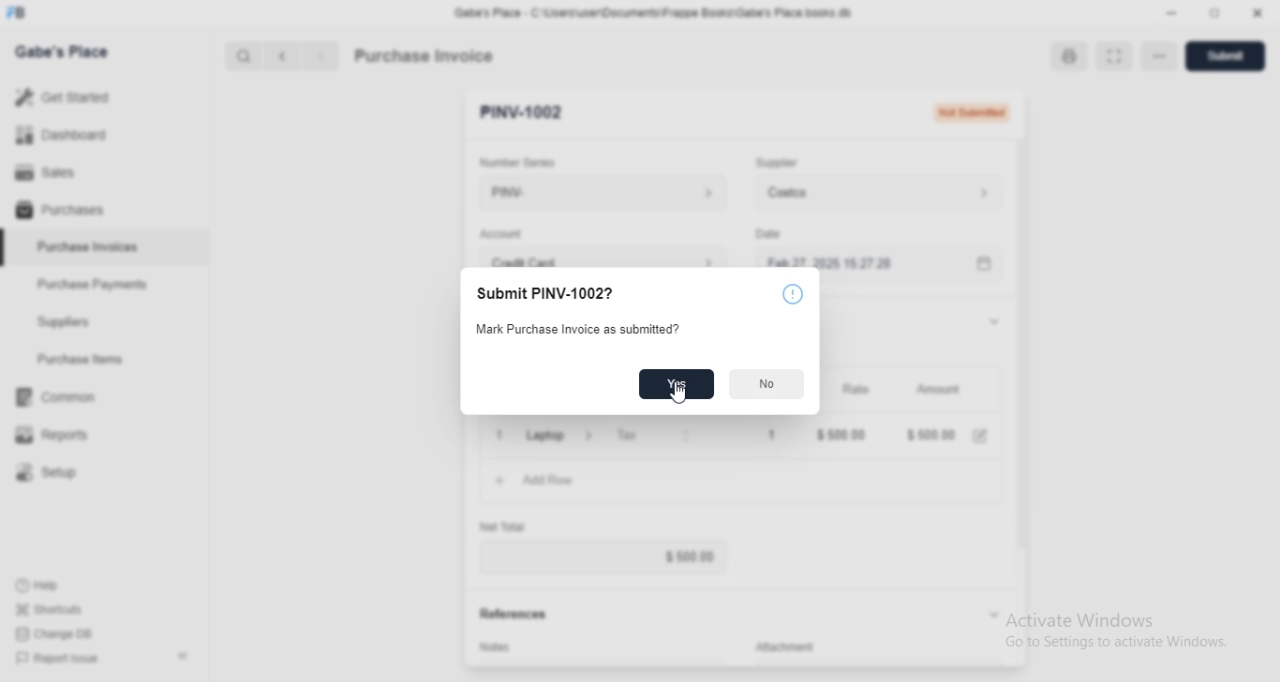  Describe the element at coordinates (322, 56) in the screenshot. I see `Next` at that location.